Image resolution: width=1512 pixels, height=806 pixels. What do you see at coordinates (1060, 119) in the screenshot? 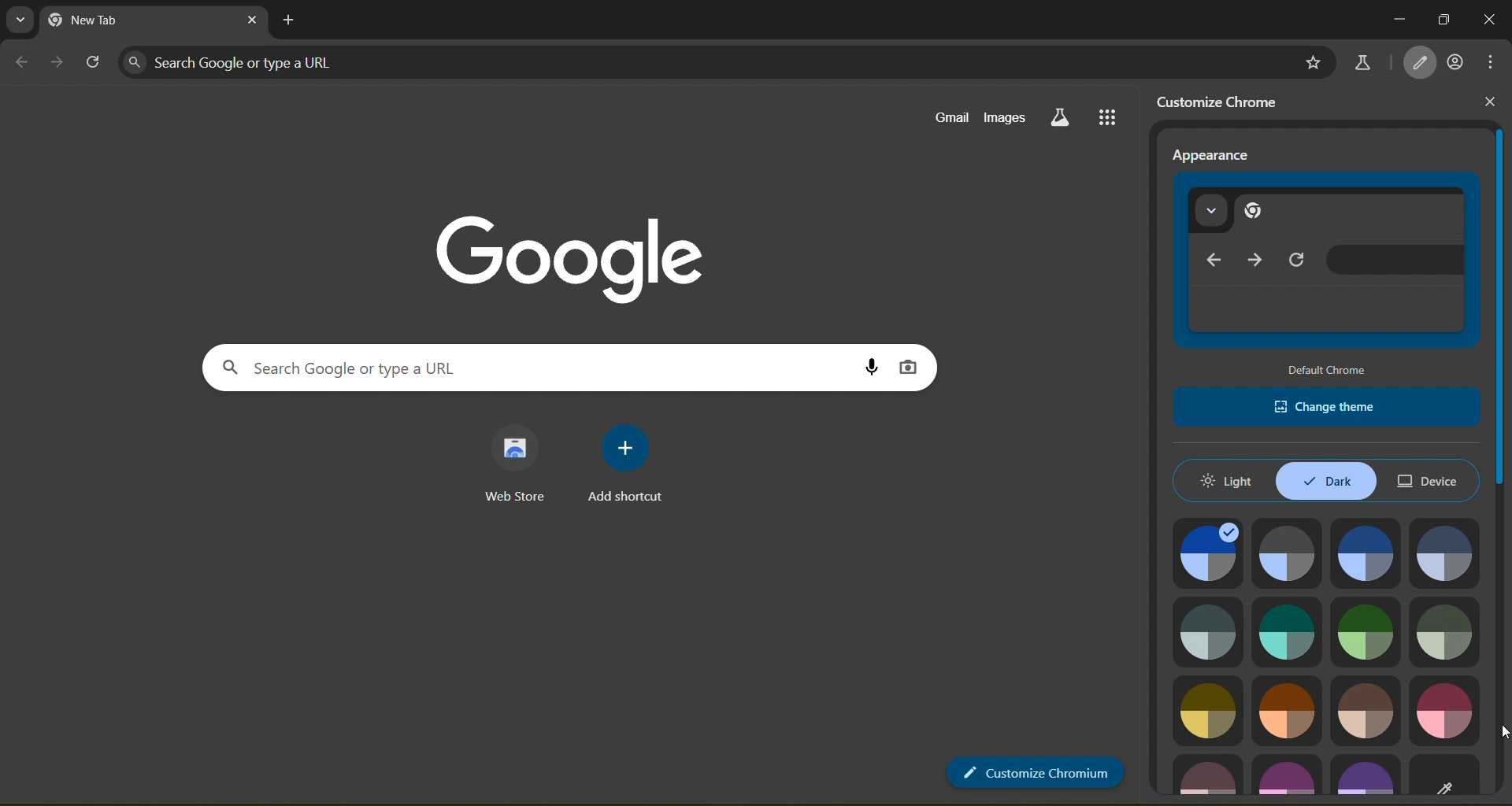
I see `search labs` at bounding box center [1060, 119].